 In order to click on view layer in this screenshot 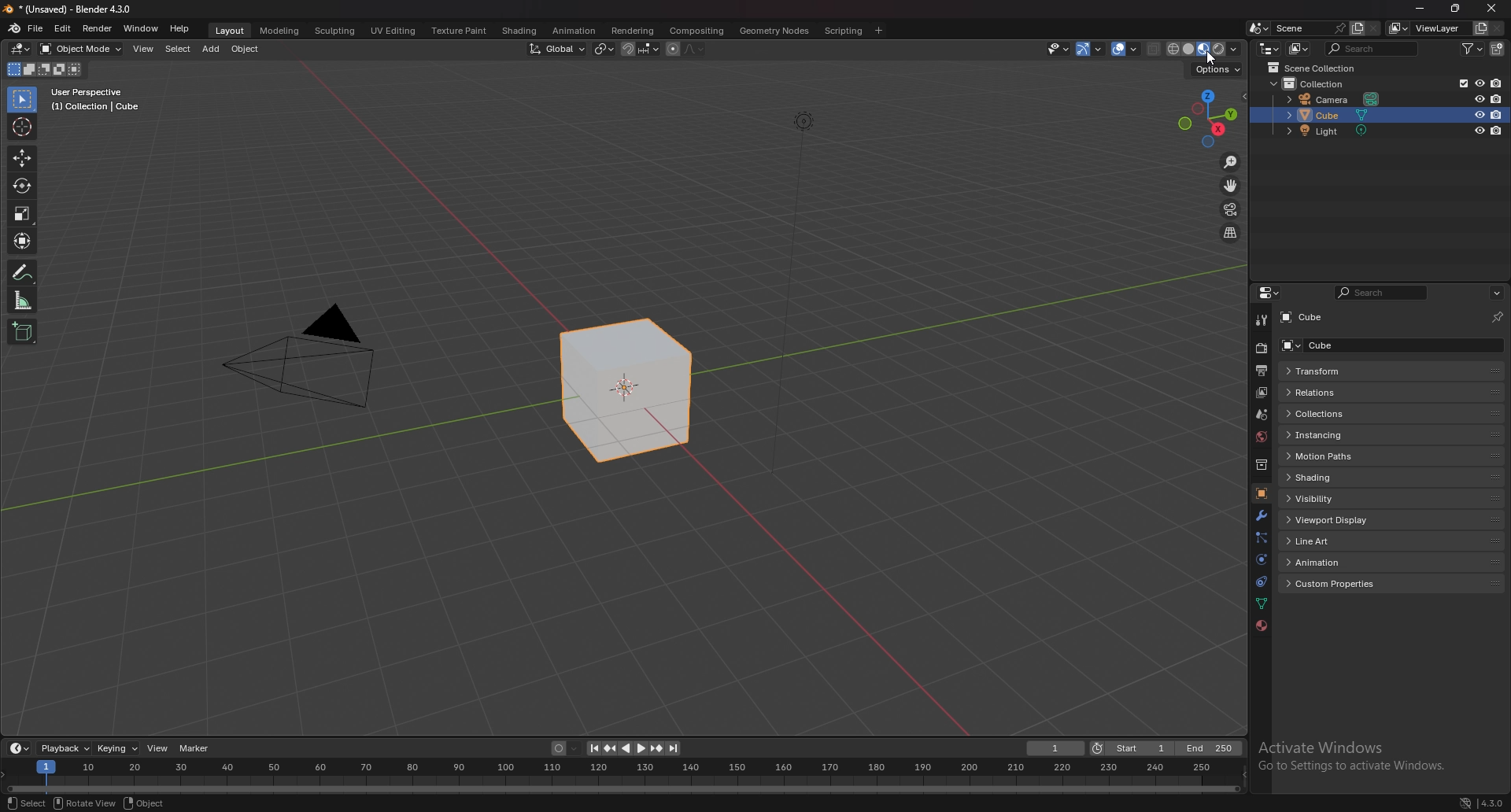, I will do `click(1428, 28)`.